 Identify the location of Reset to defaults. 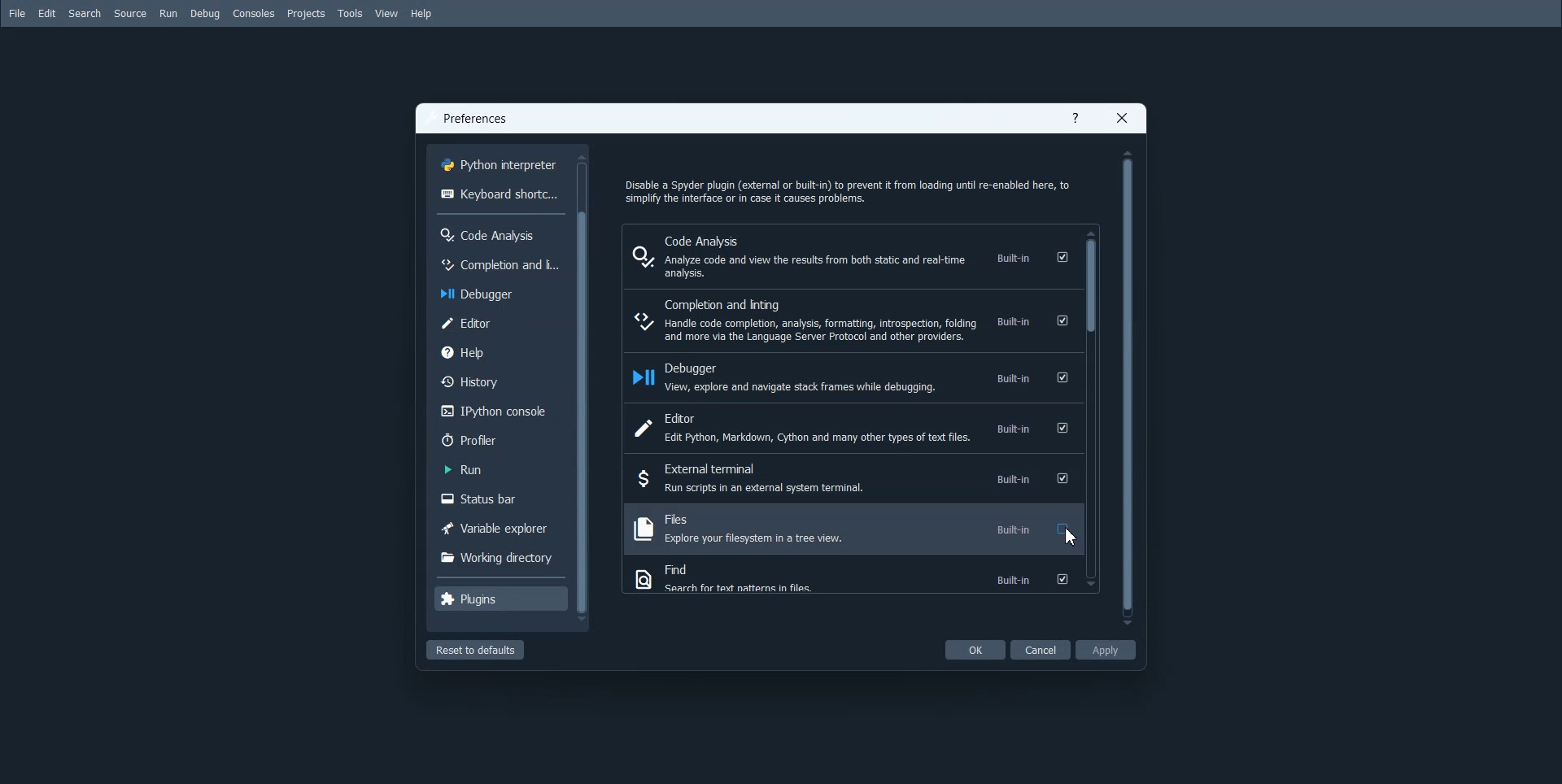
(474, 649).